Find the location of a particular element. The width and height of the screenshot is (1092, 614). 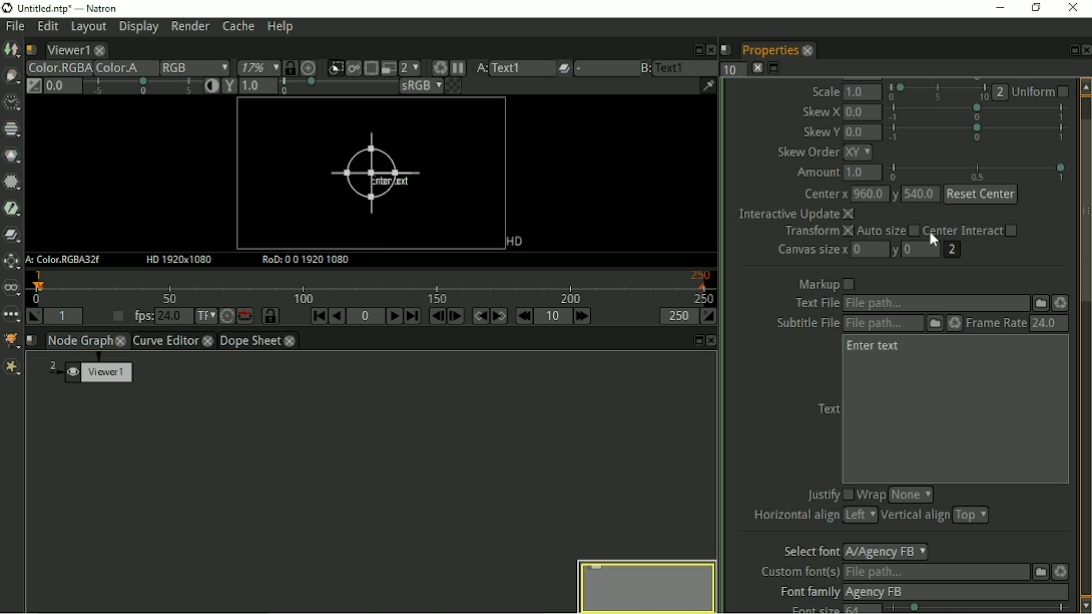

Amount is located at coordinates (815, 175).